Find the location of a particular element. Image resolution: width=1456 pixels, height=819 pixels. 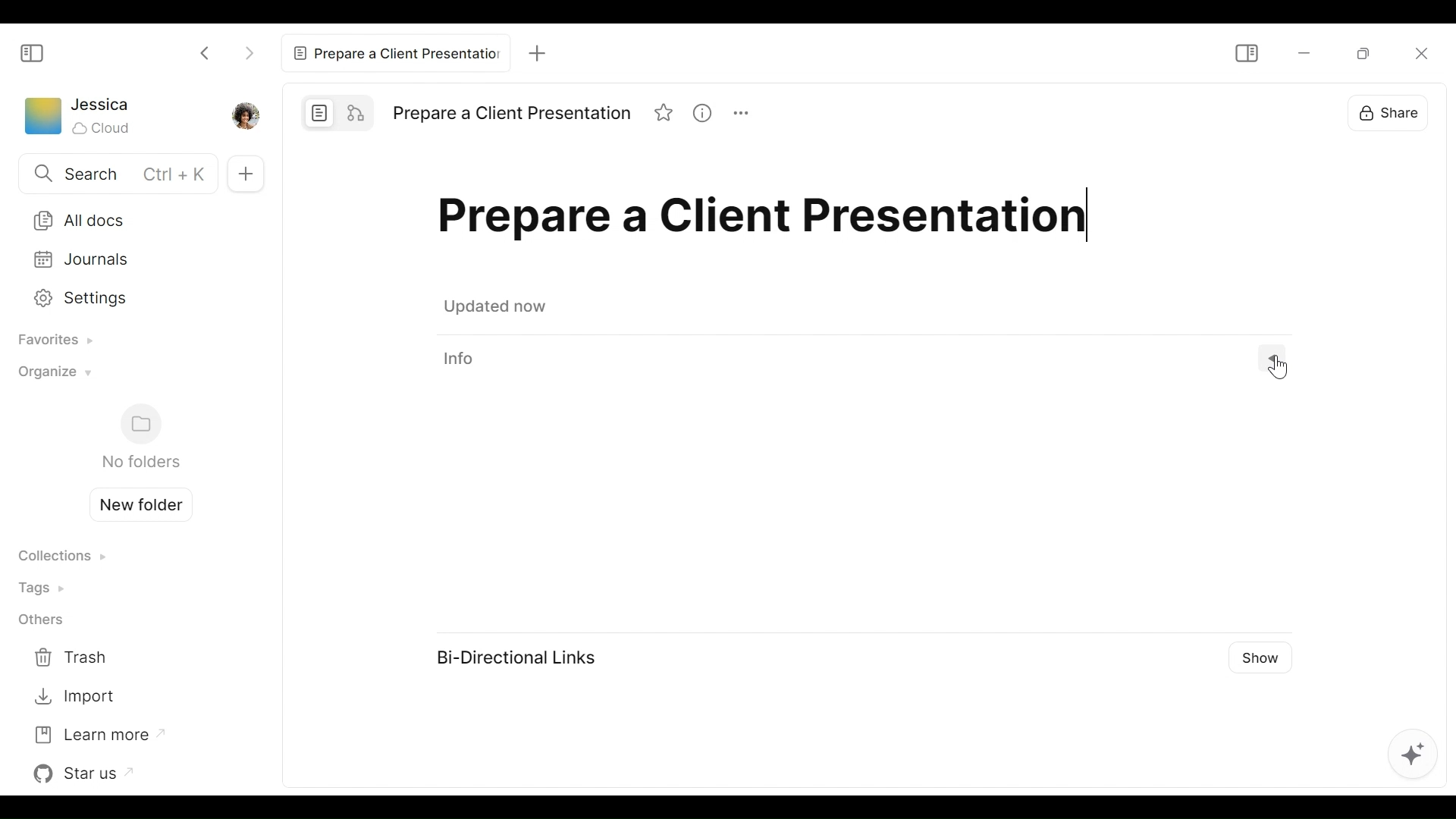

Edgeless mode is located at coordinates (358, 111).